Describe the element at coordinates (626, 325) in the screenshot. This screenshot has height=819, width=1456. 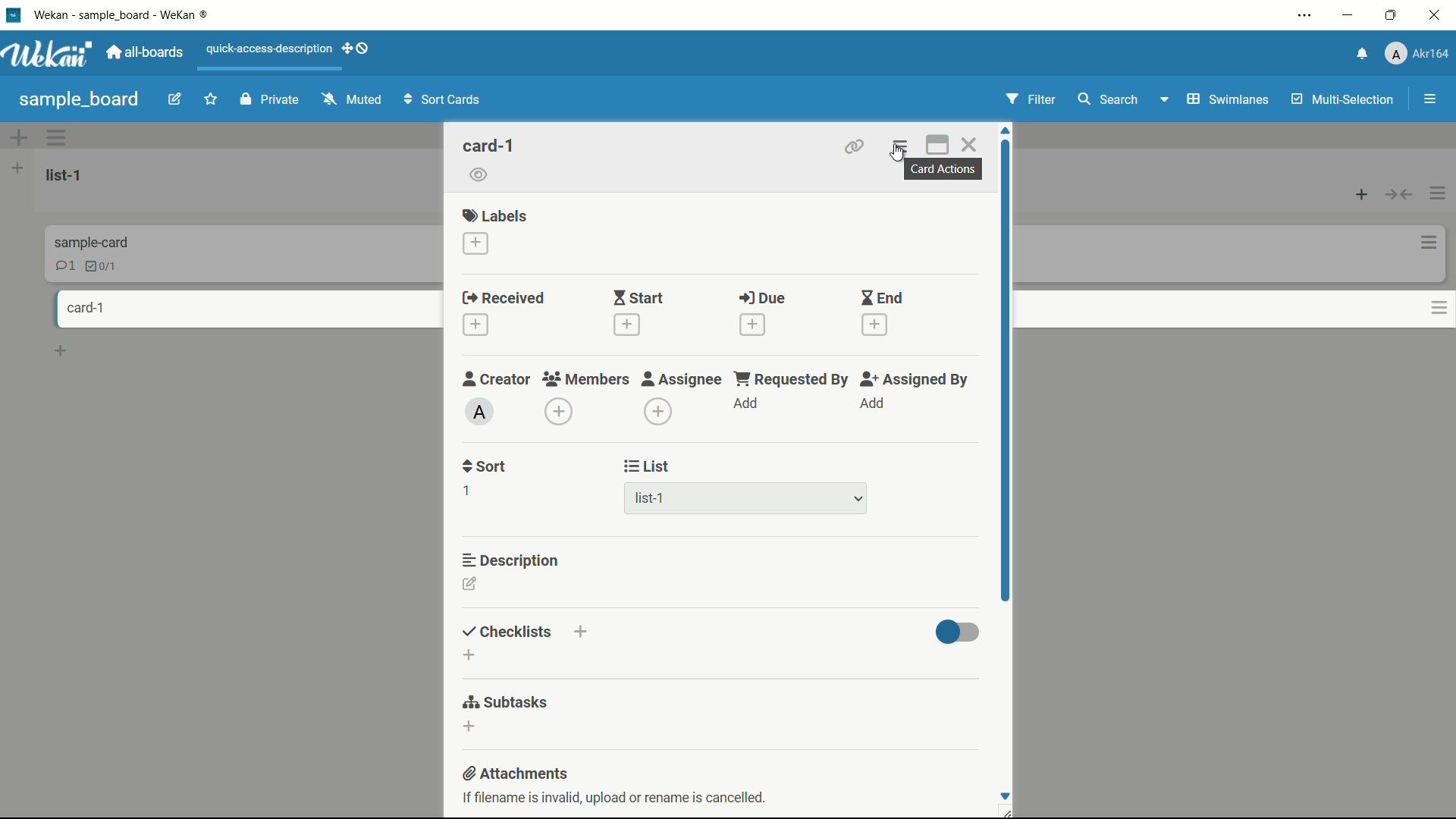
I see `add date` at that location.